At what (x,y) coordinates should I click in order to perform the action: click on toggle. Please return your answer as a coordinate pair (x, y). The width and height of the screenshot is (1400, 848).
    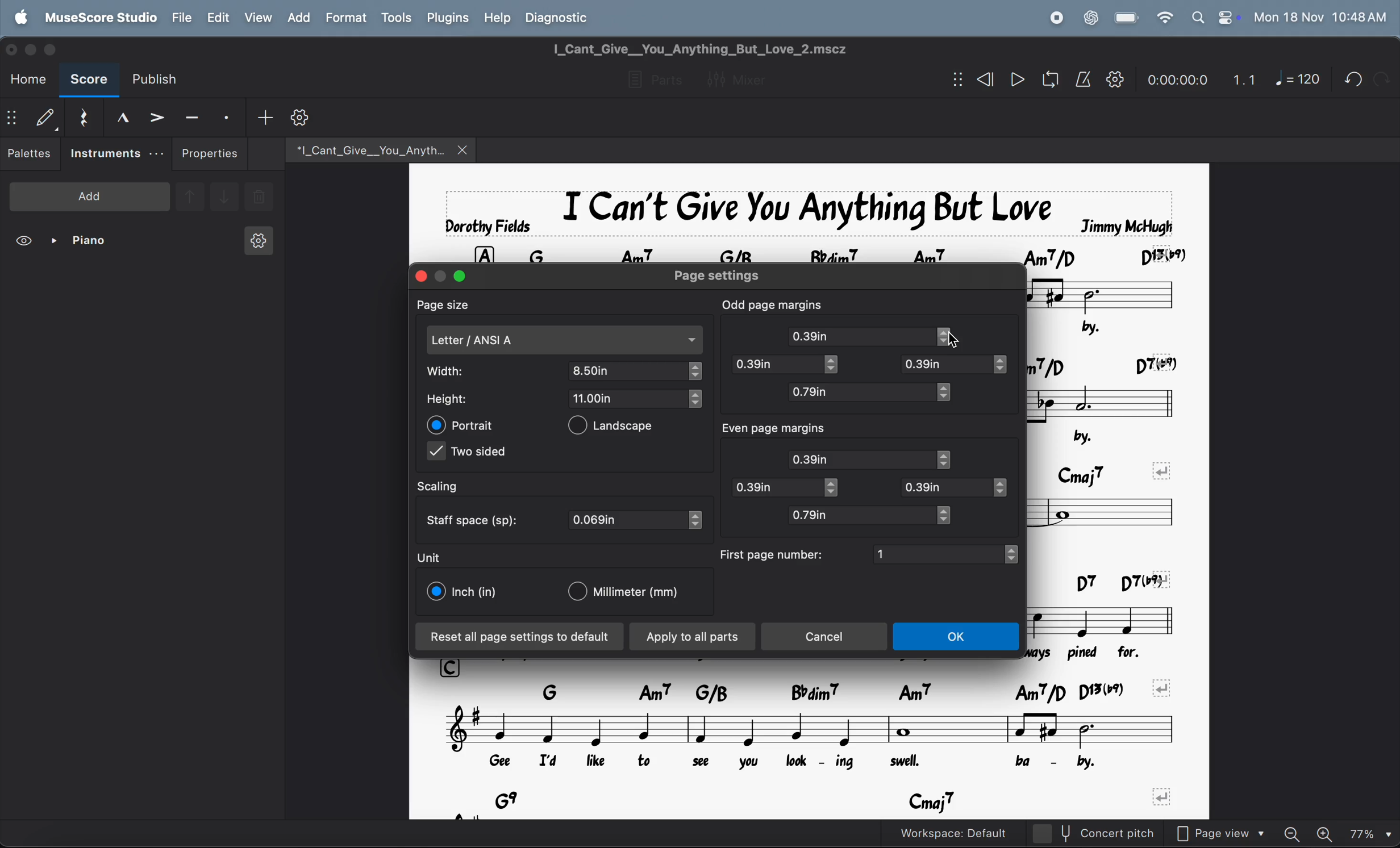
    Looking at the image, I should click on (1002, 489).